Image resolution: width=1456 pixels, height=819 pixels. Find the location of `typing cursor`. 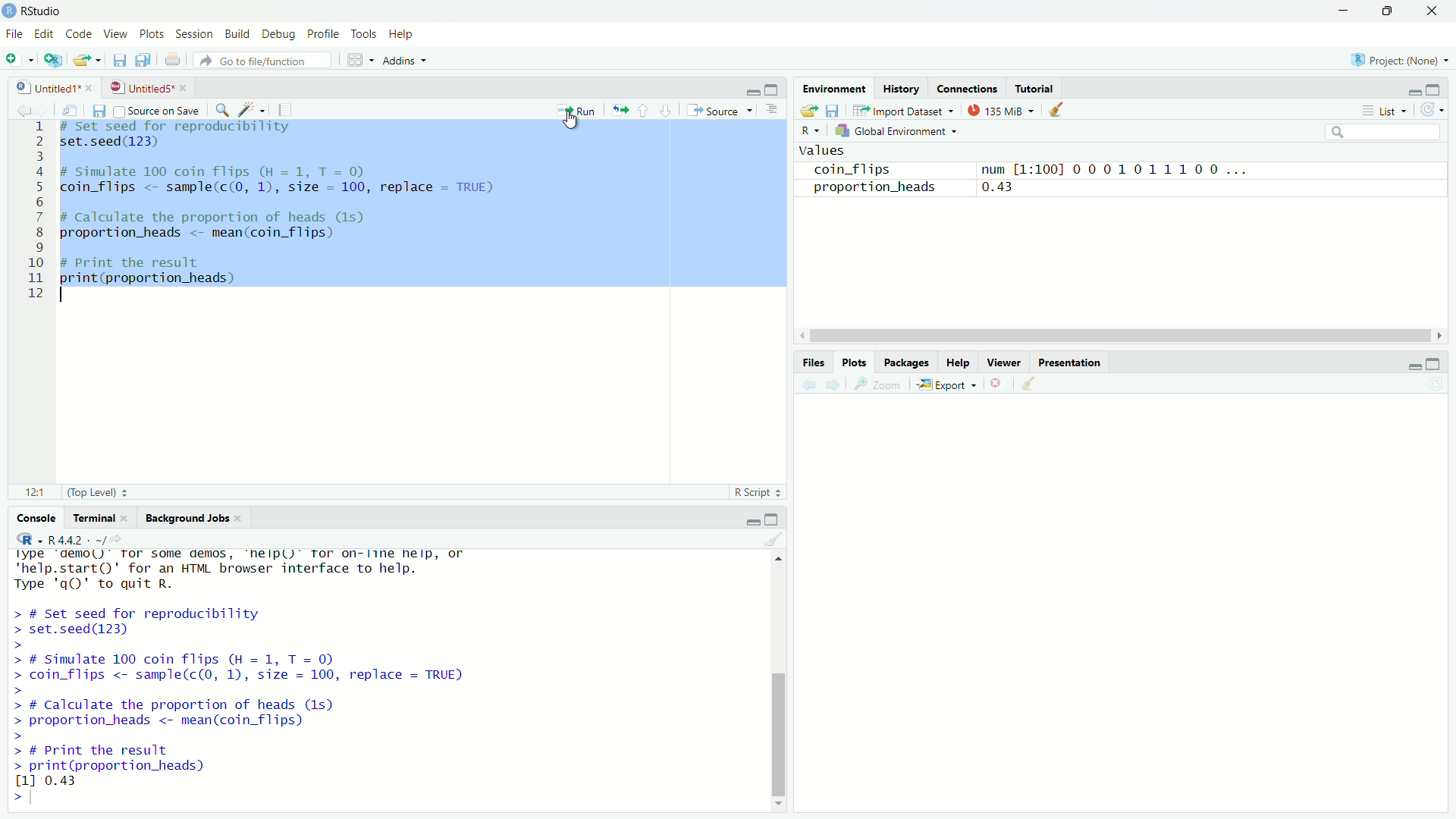

typing cursor is located at coordinates (37, 796).